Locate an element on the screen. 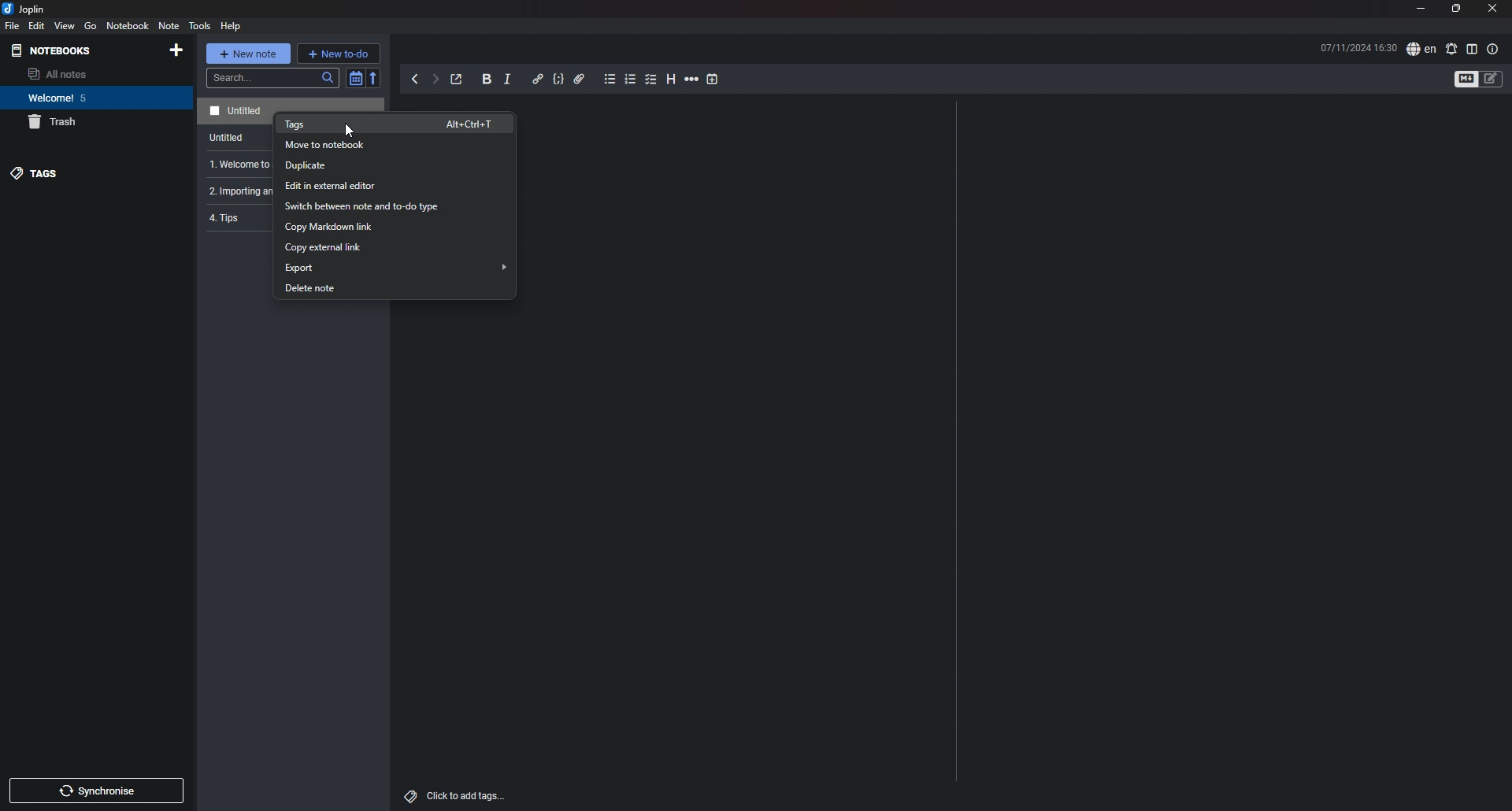  bold is located at coordinates (487, 80).